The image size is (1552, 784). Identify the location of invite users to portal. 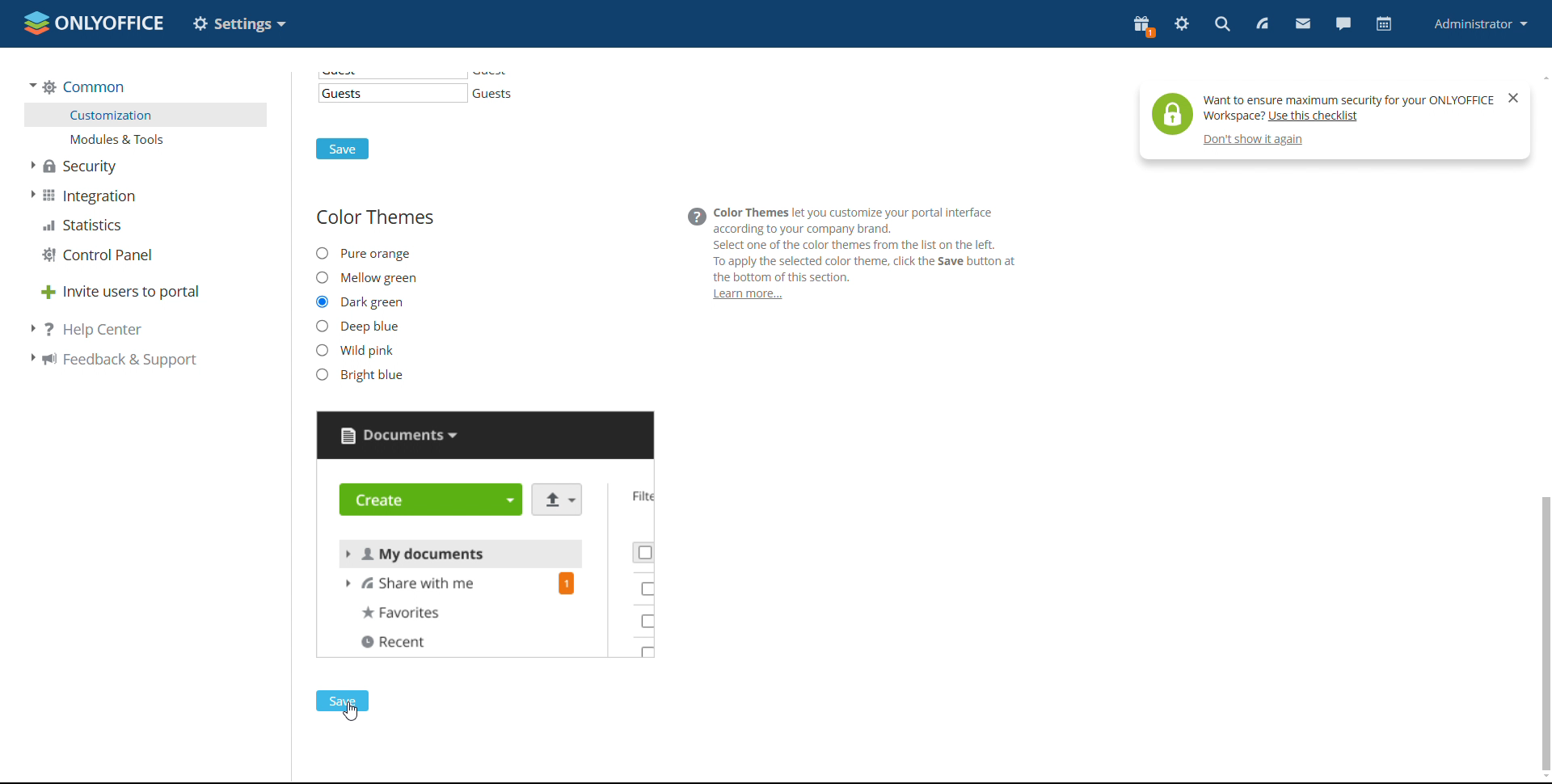
(120, 290).